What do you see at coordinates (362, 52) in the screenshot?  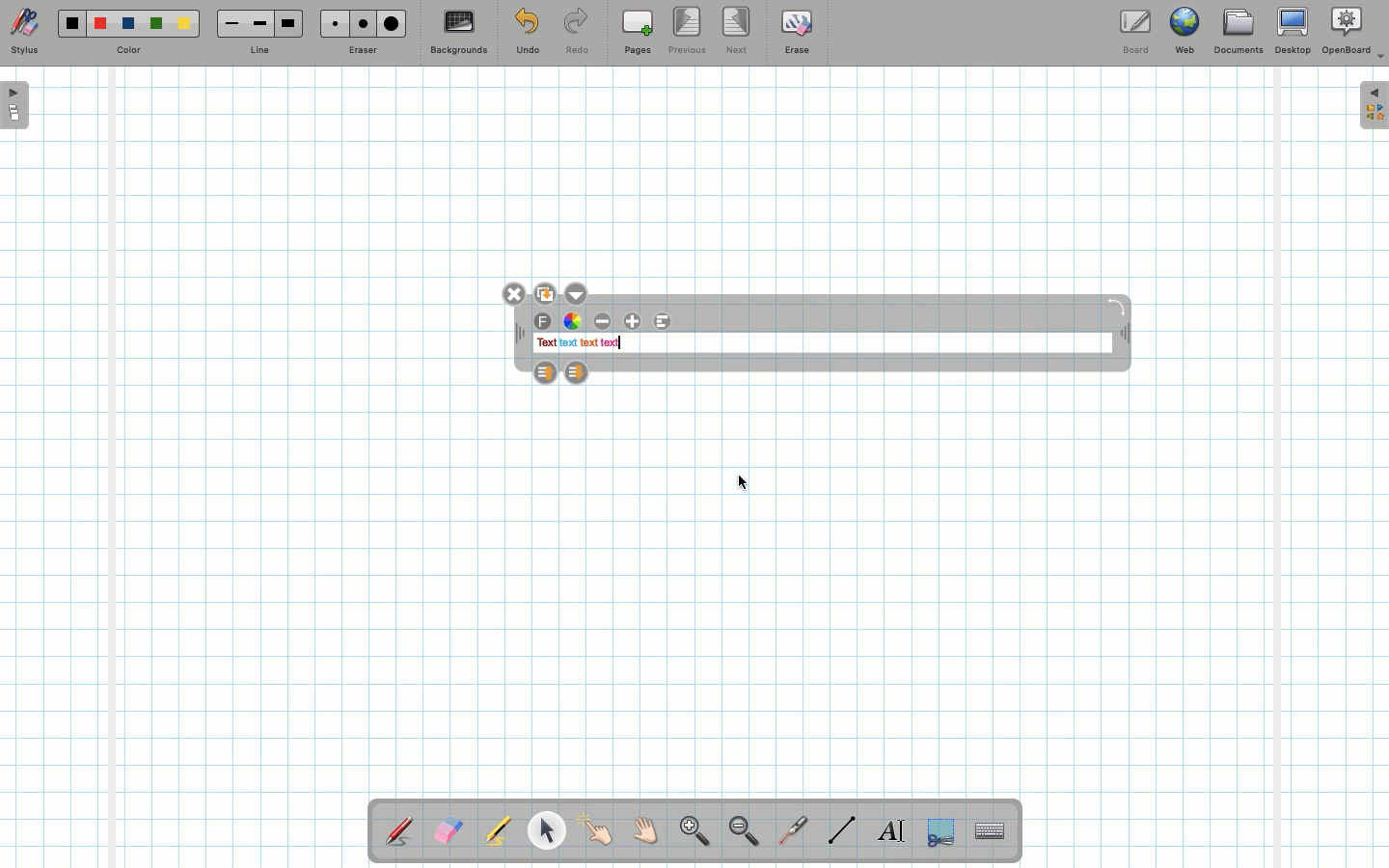 I see `Eraser` at bounding box center [362, 52].